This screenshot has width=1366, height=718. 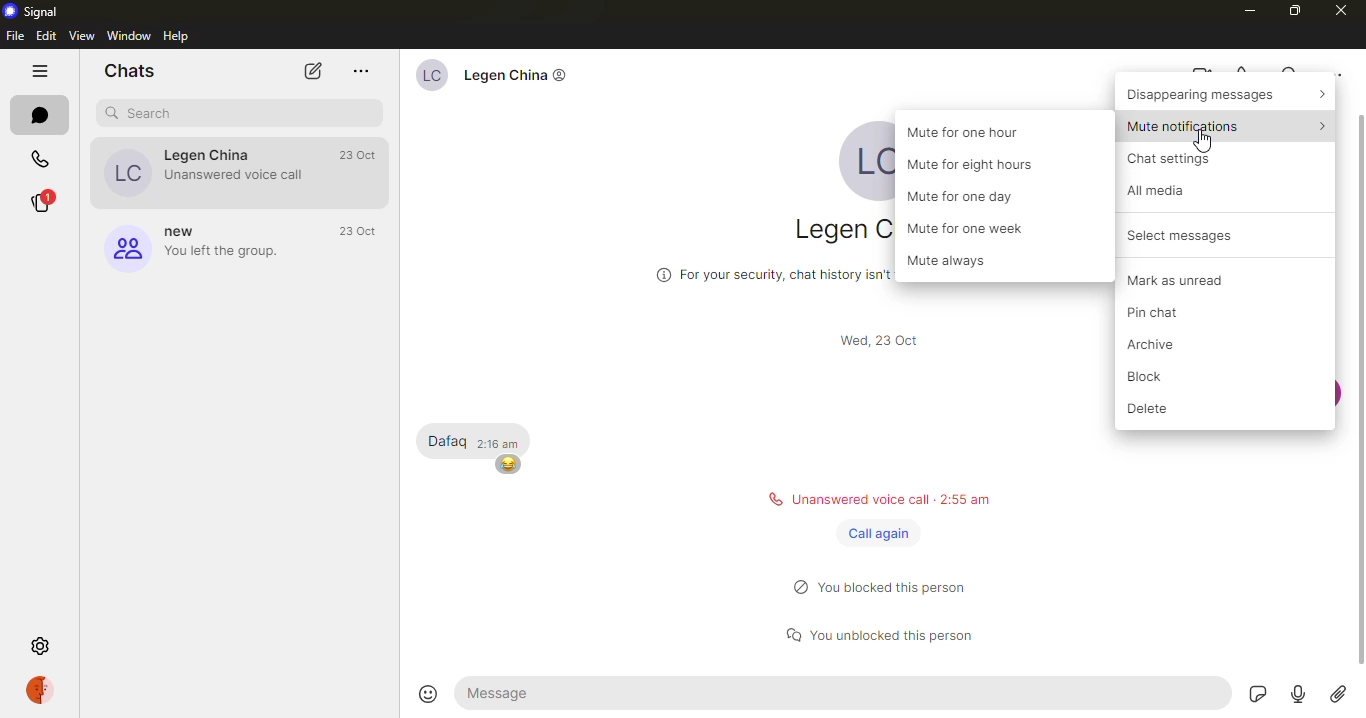 I want to click on settings, so click(x=46, y=646).